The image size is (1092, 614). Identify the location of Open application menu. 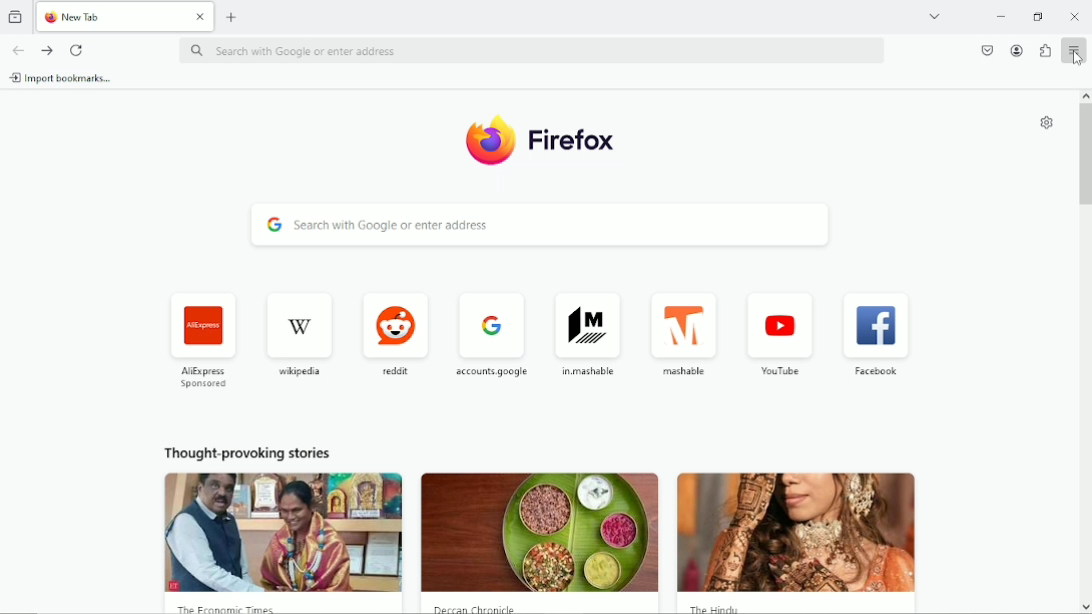
(1075, 51).